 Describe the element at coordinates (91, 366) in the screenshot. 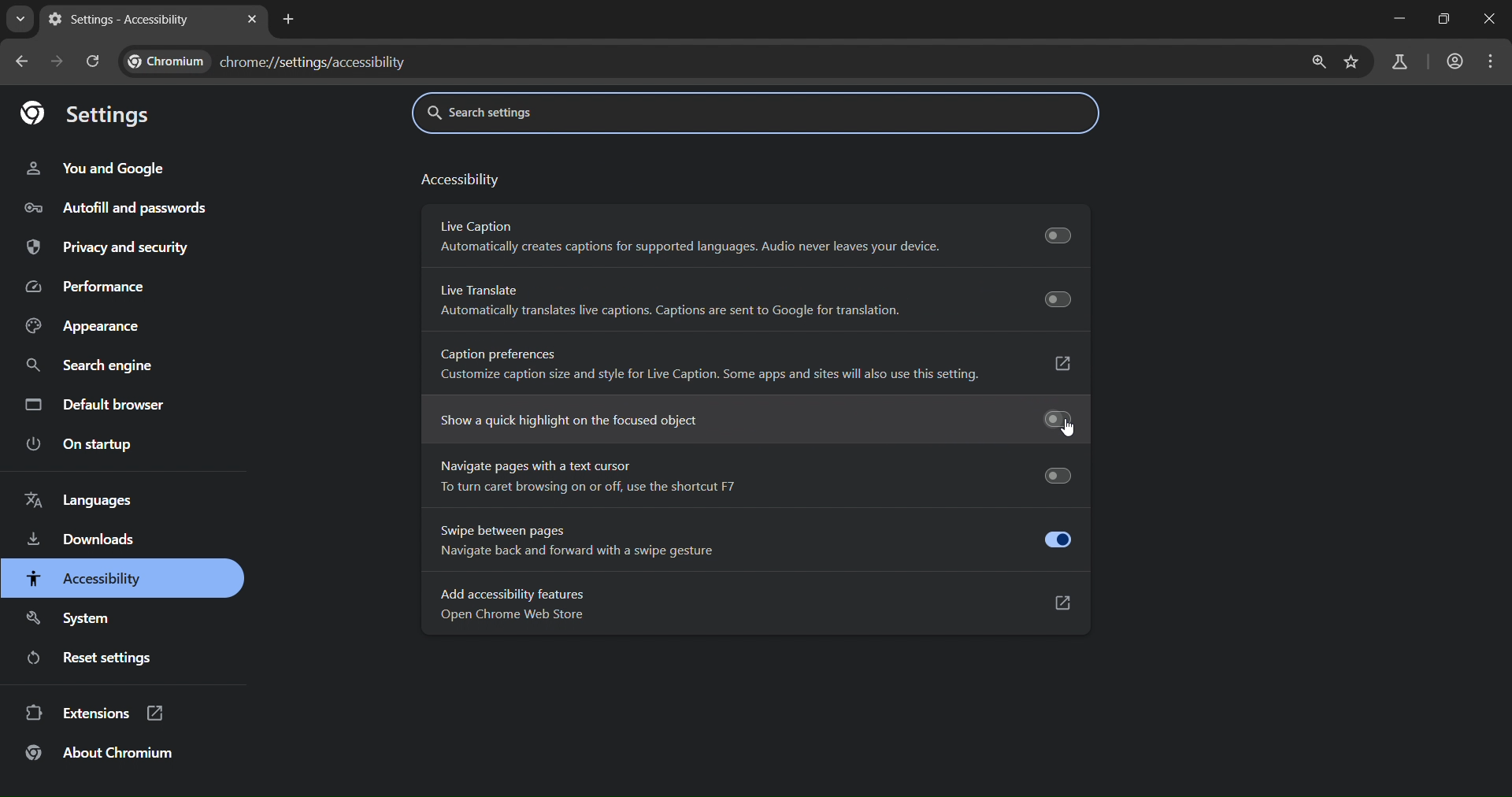

I see `search engine` at that location.